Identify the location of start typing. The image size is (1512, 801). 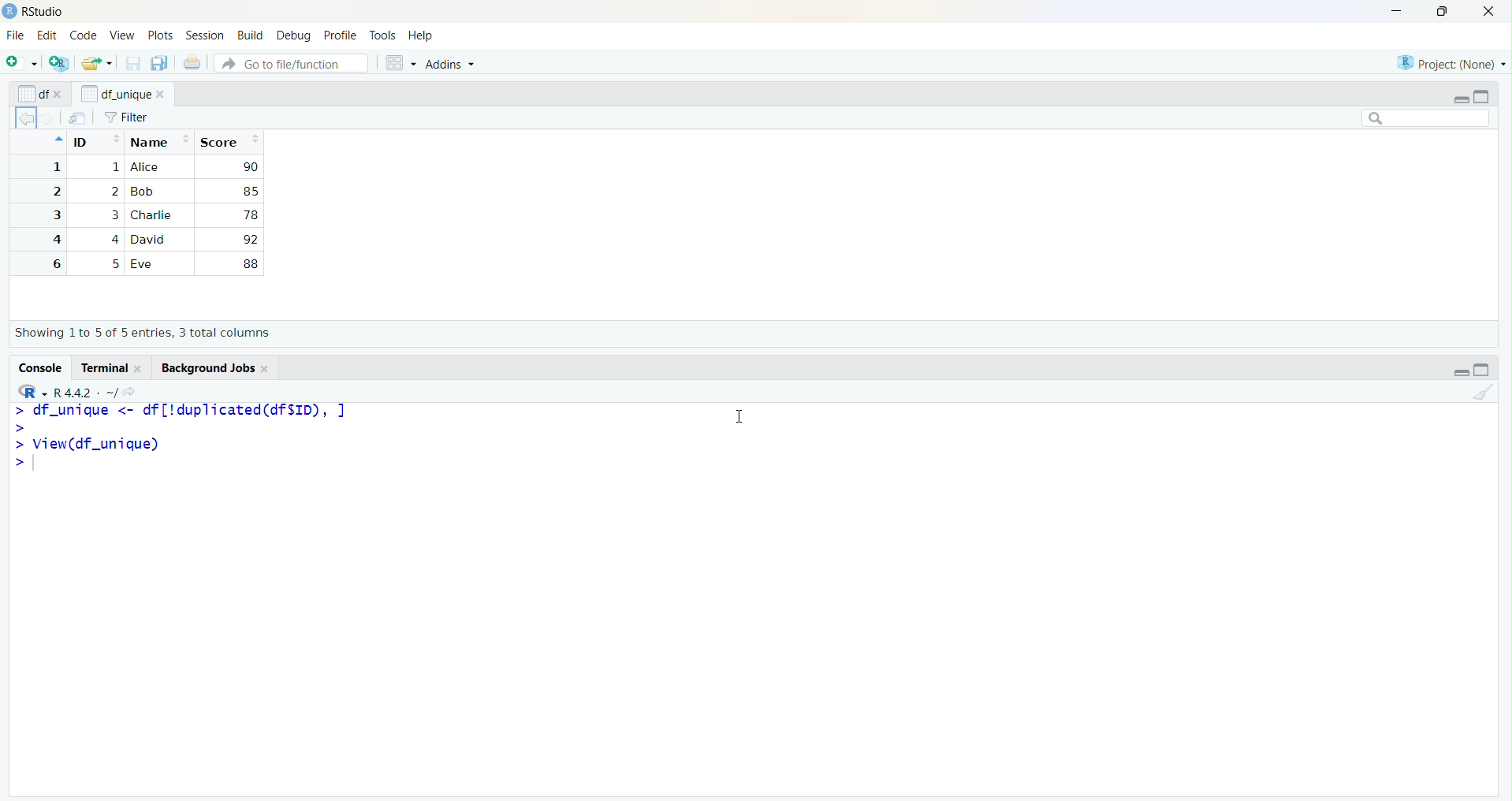
(17, 411).